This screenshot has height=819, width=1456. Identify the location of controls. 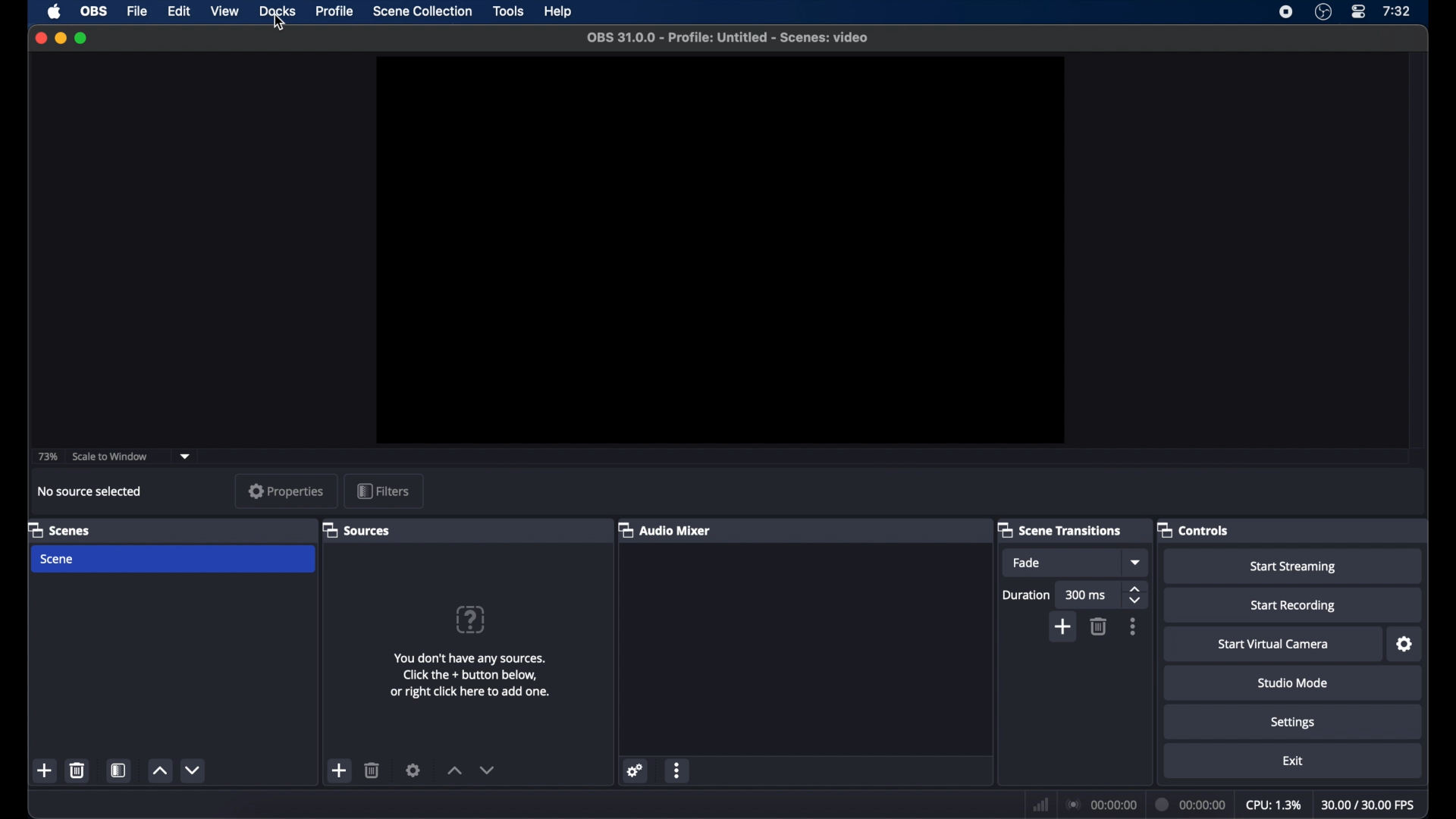
(1194, 530).